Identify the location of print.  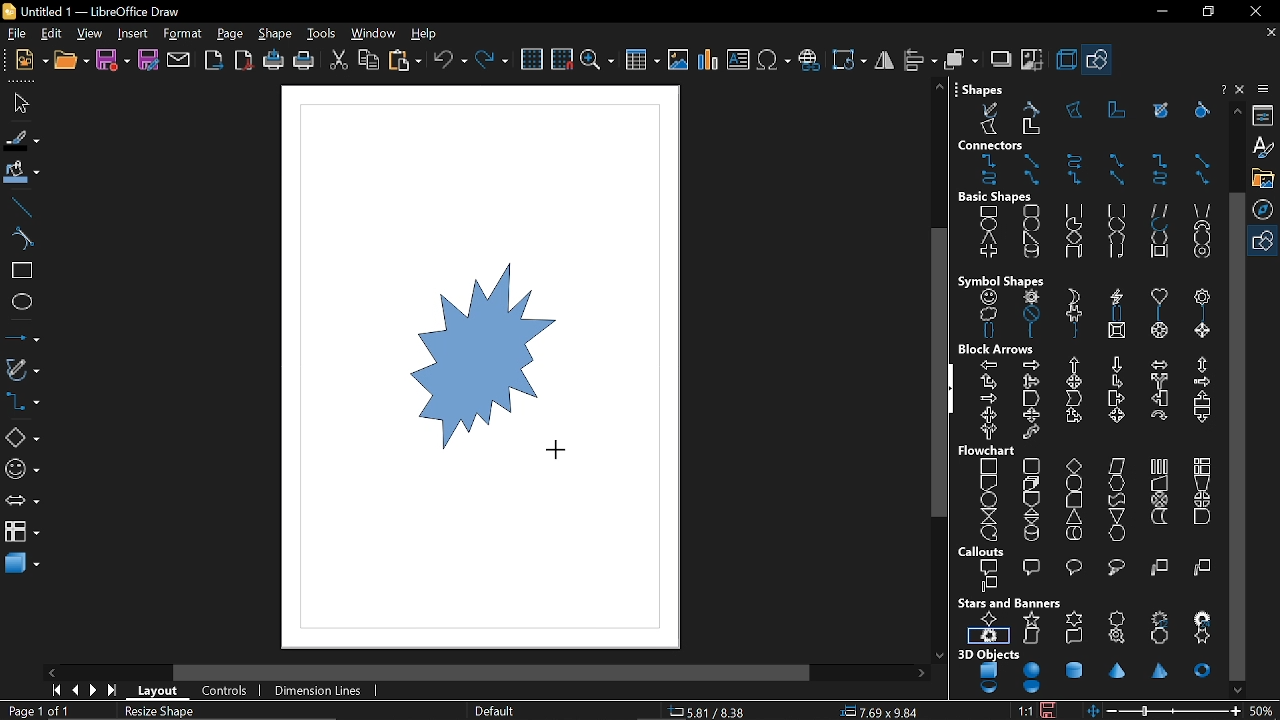
(302, 61).